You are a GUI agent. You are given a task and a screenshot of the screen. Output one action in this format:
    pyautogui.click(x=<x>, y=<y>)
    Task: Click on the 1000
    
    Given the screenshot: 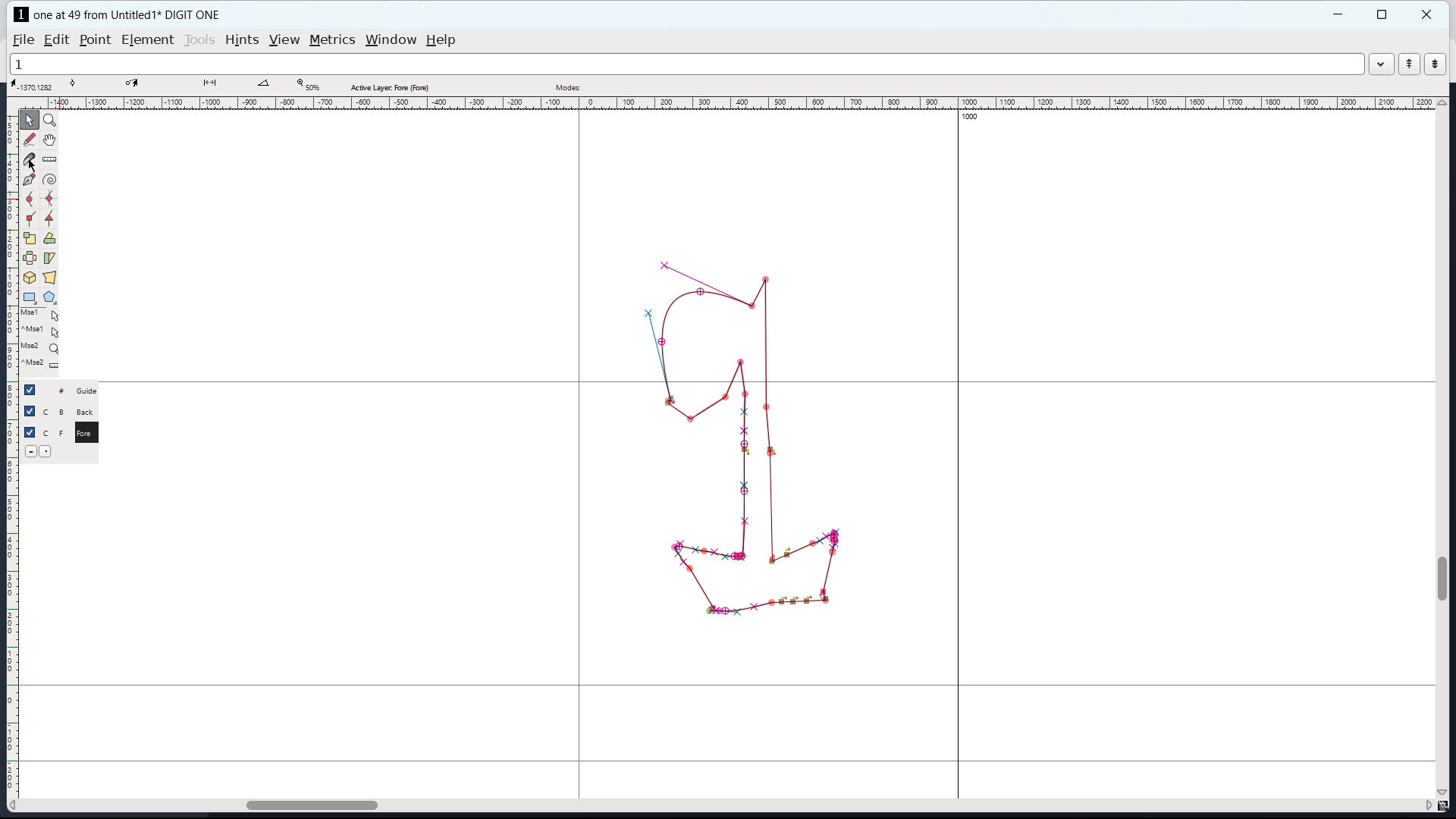 What is the action you would take?
    pyautogui.click(x=970, y=116)
    